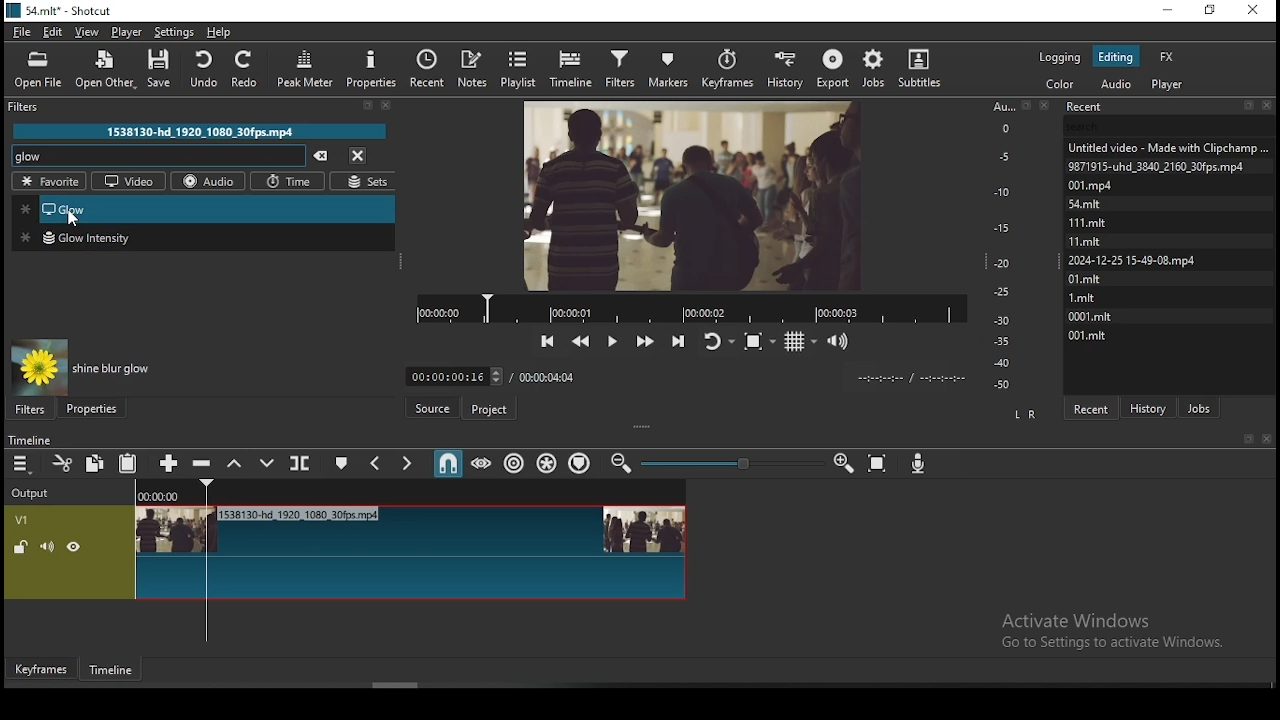  What do you see at coordinates (88, 32) in the screenshot?
I see `view` at bounding box center [88, 32].